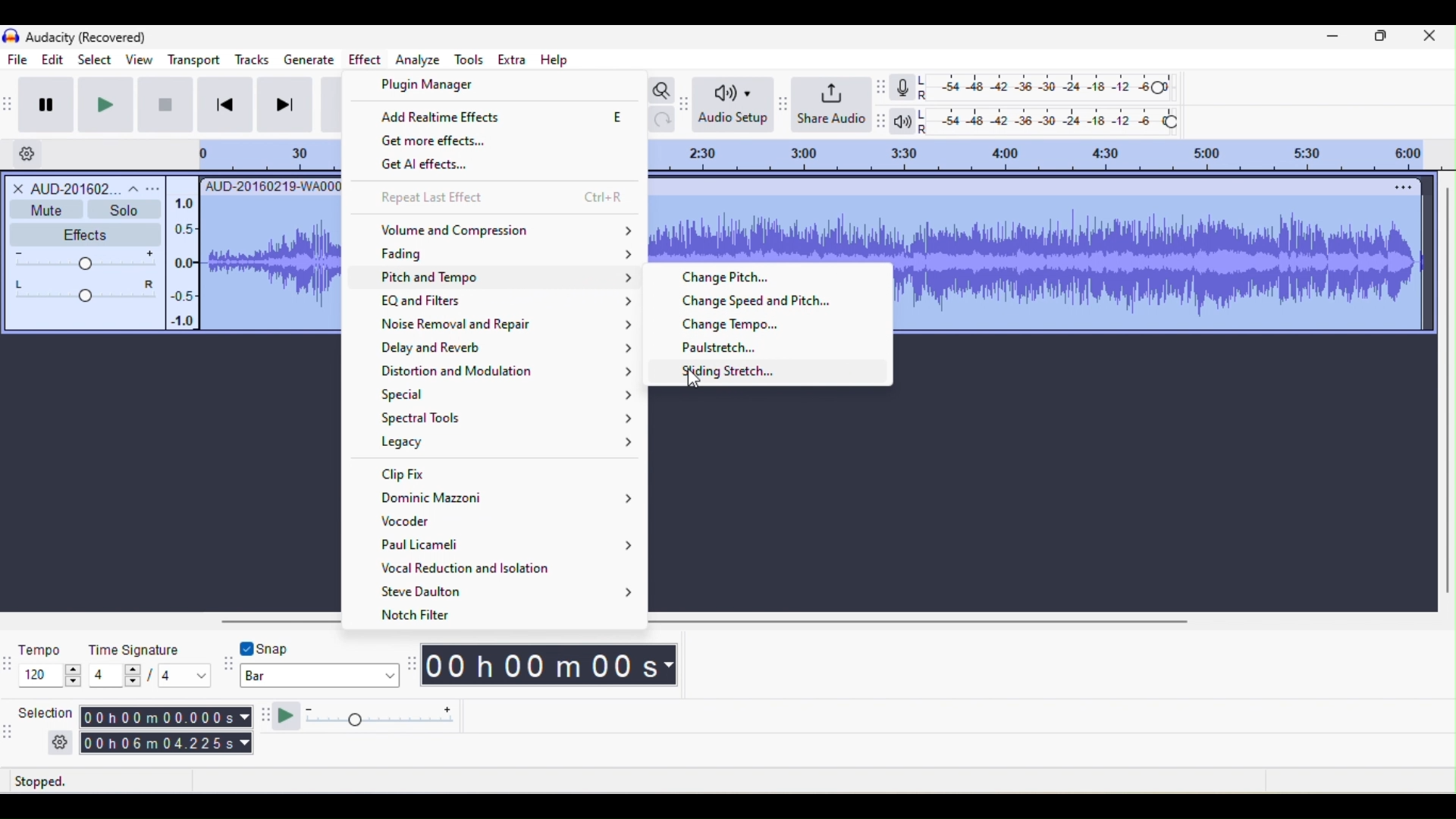  What do you see at coordinates (375, 718) in the screenshot?
I see `play at speed` at bounding box center [375, 718].